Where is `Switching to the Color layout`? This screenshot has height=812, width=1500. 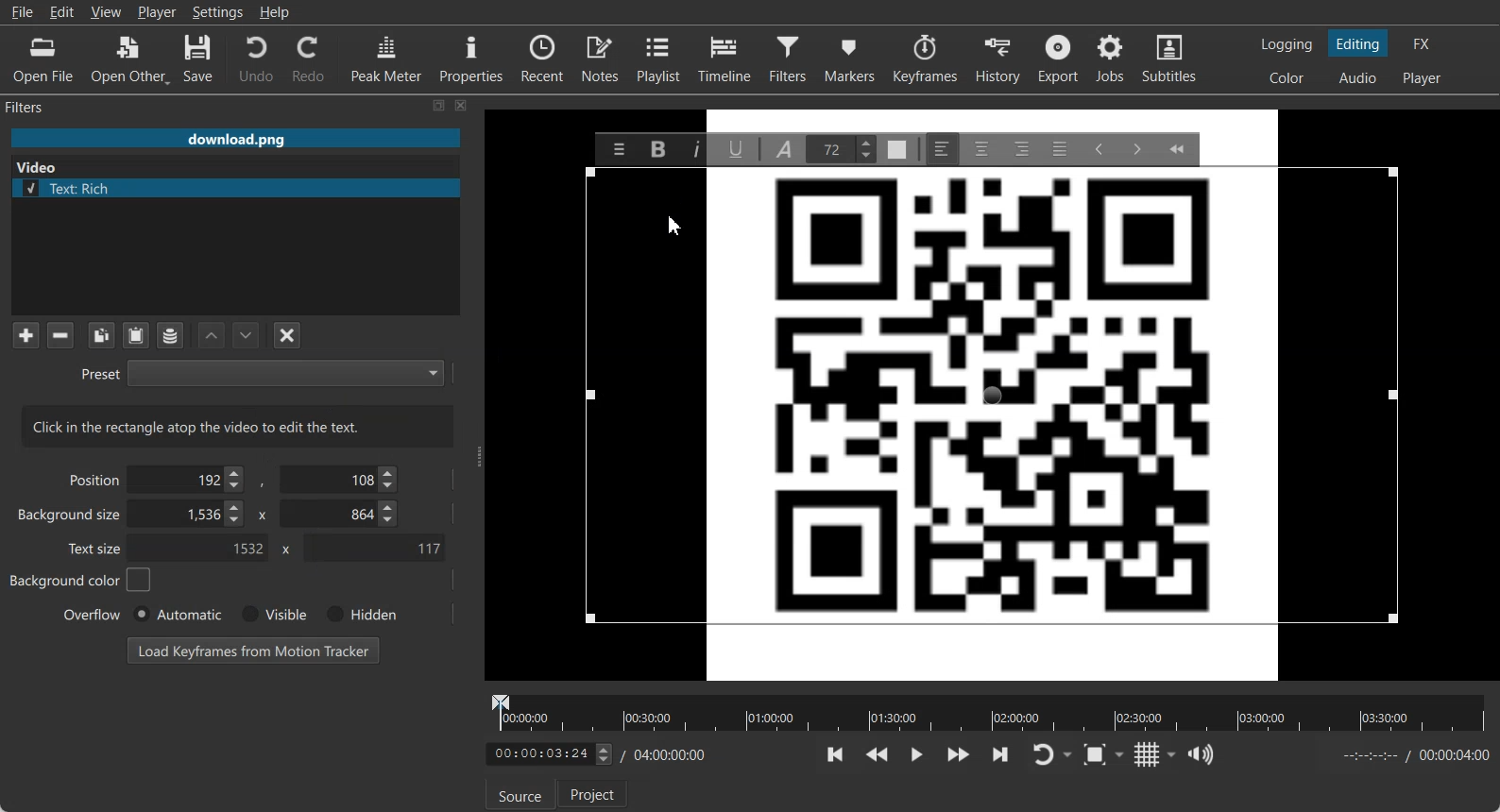
Switching to the Color layout is located at coordinates (1287, 78).